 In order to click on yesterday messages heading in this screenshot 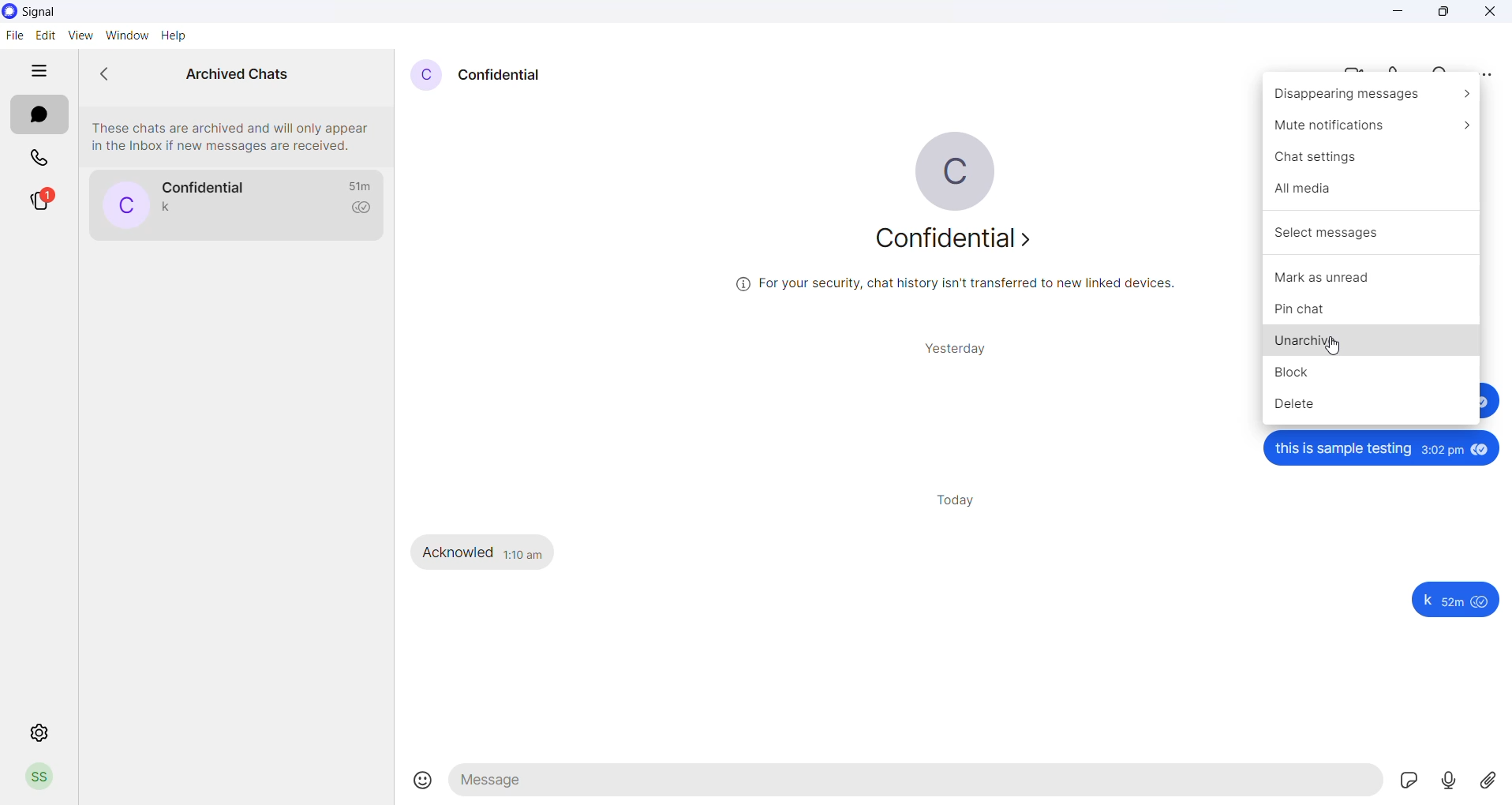, I will do `click(958, 348)`.